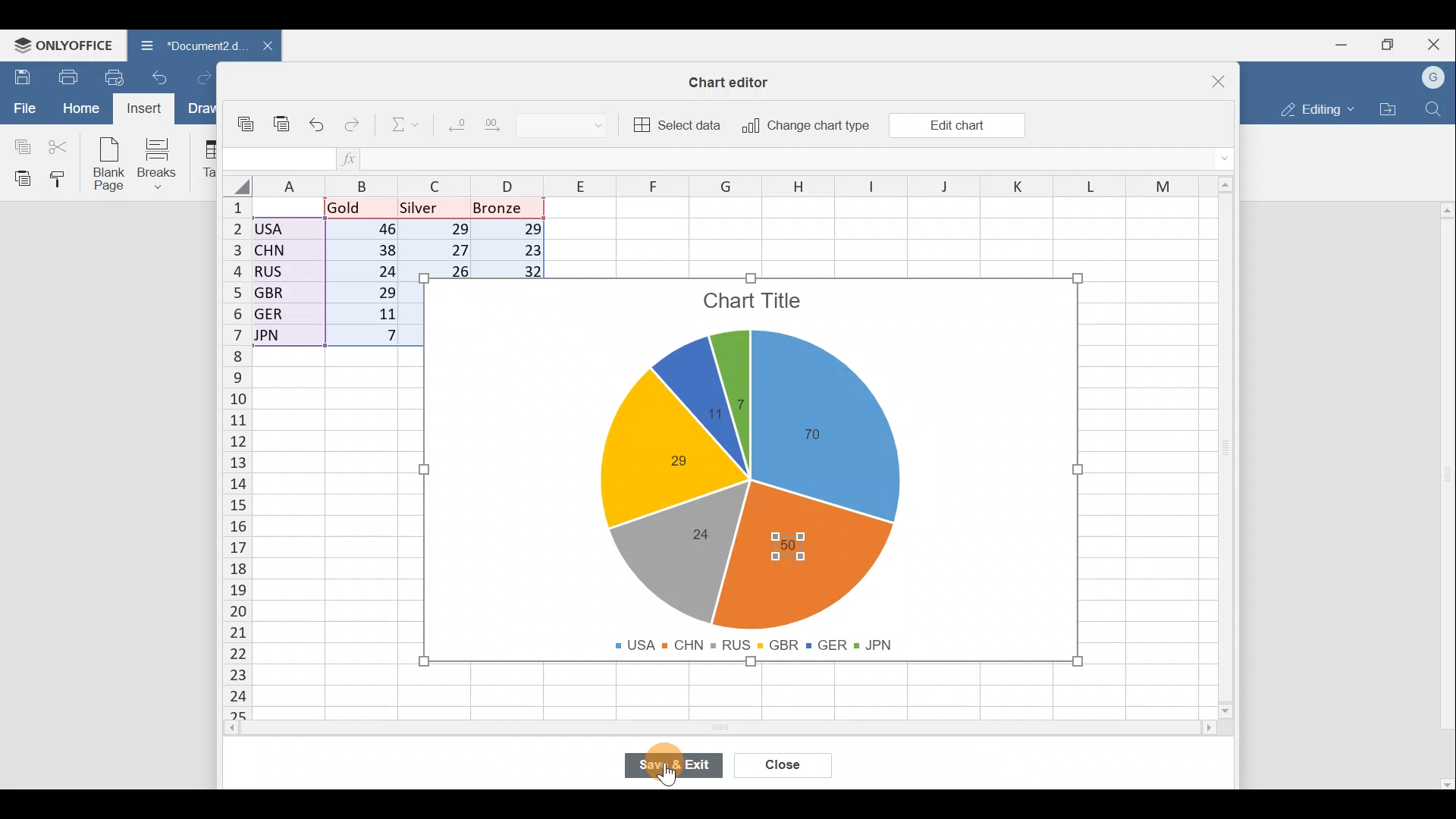  Describe the element at coordinates (1438, 43) in the screenshot. I see `Close` at that location.